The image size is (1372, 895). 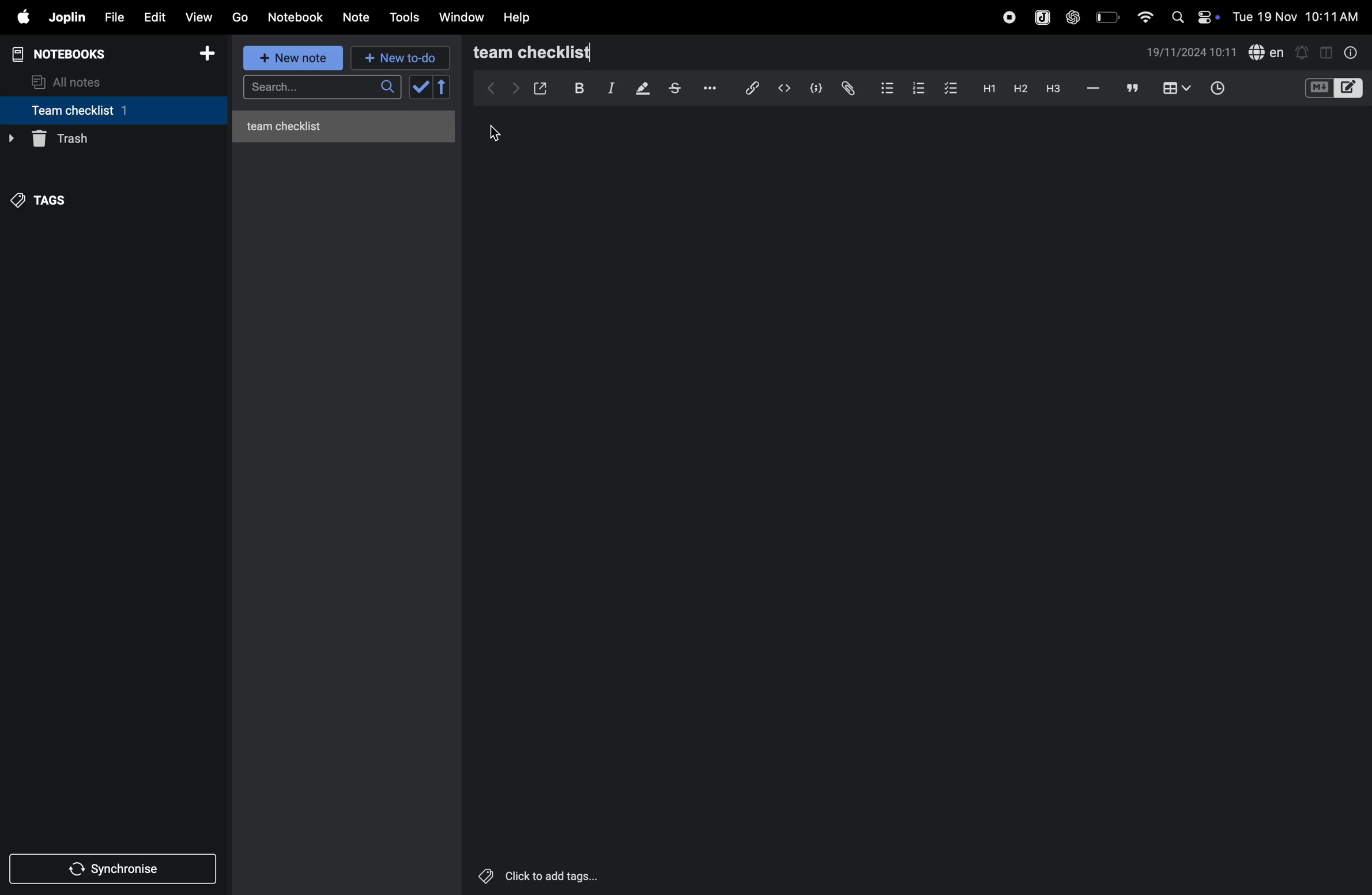 What do you see at coordinates (68, 18) in the screenshot?
I see `joplin` at bounding box center [68, 18].